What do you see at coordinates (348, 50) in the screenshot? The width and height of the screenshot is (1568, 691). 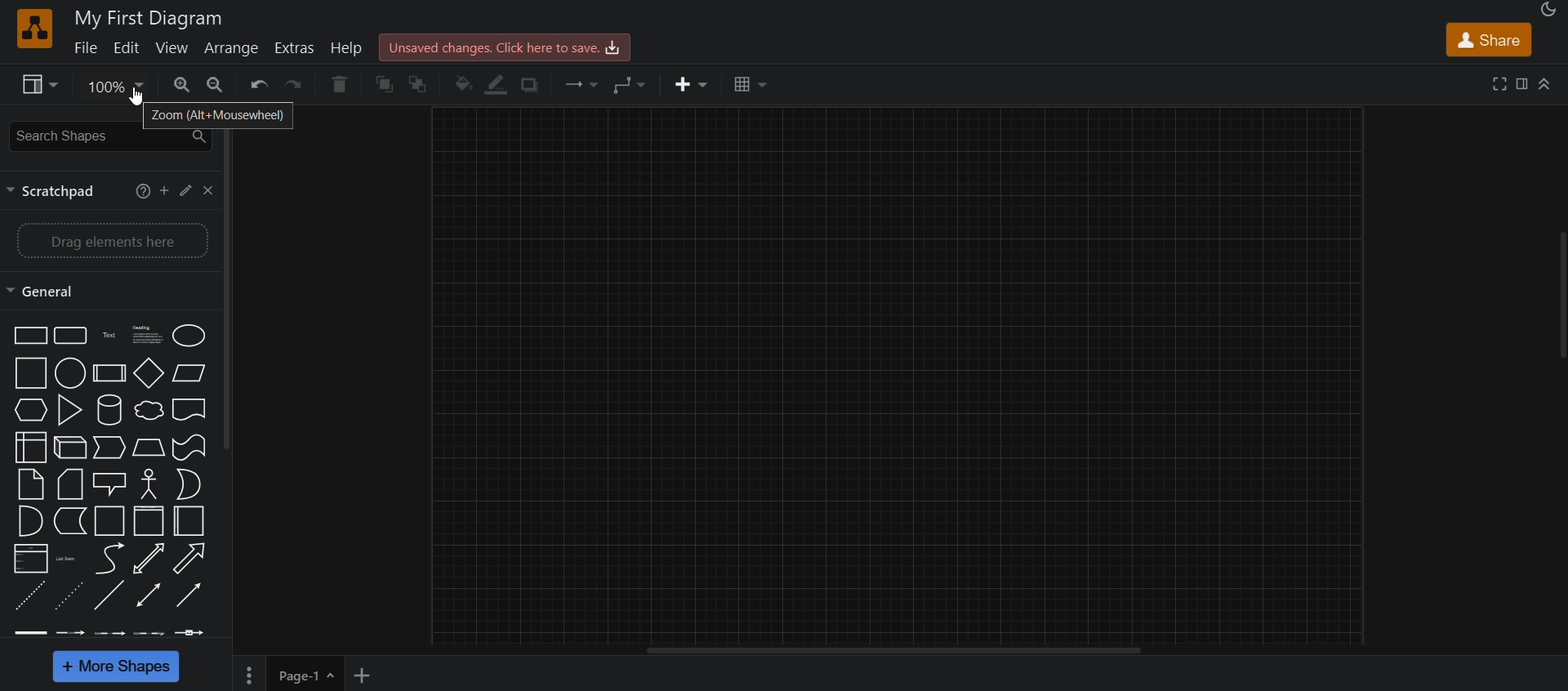 I see `help` at bounding box center [348, 50].